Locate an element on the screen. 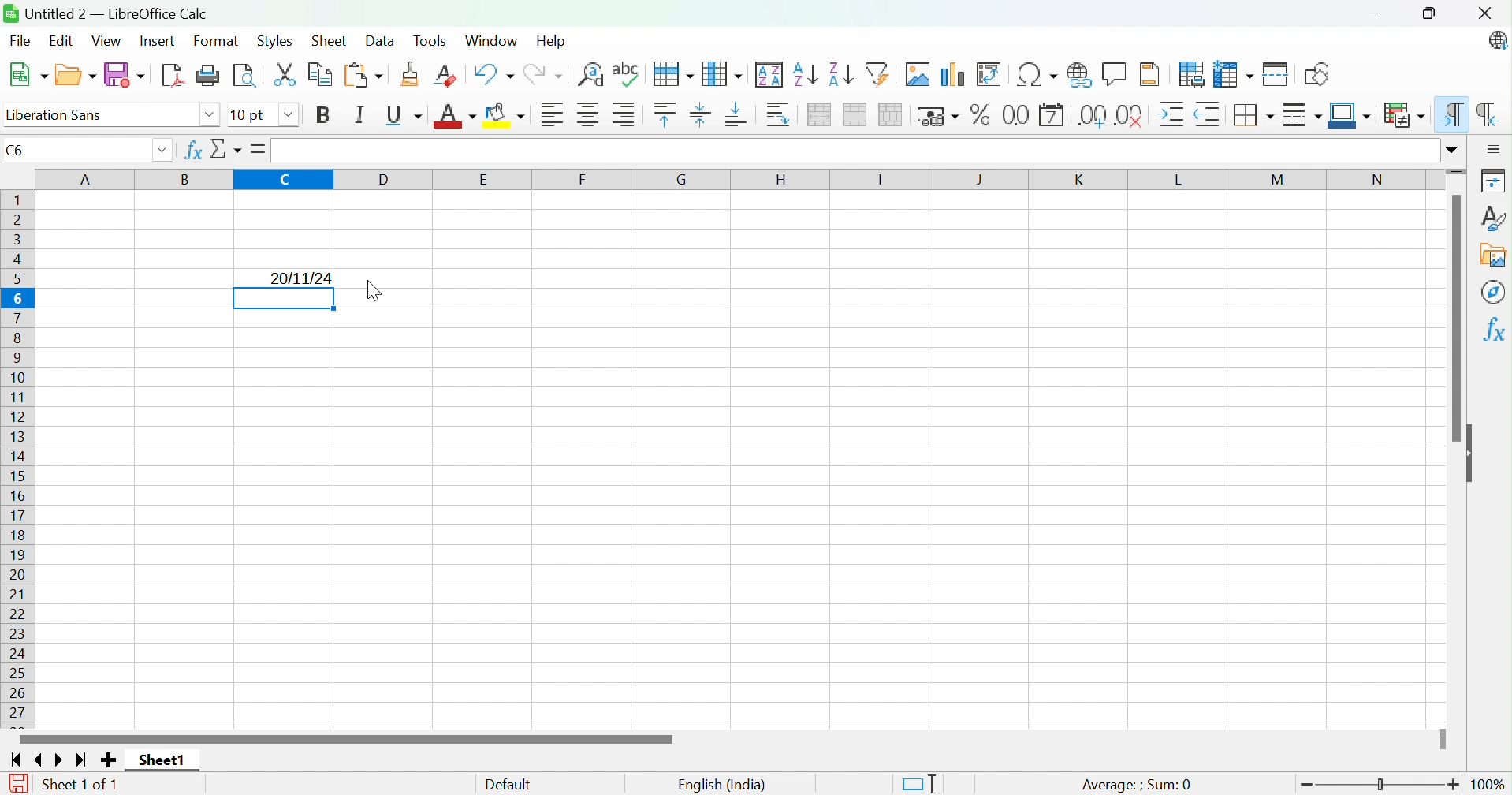  Font name is located at coordinates (251, 116).